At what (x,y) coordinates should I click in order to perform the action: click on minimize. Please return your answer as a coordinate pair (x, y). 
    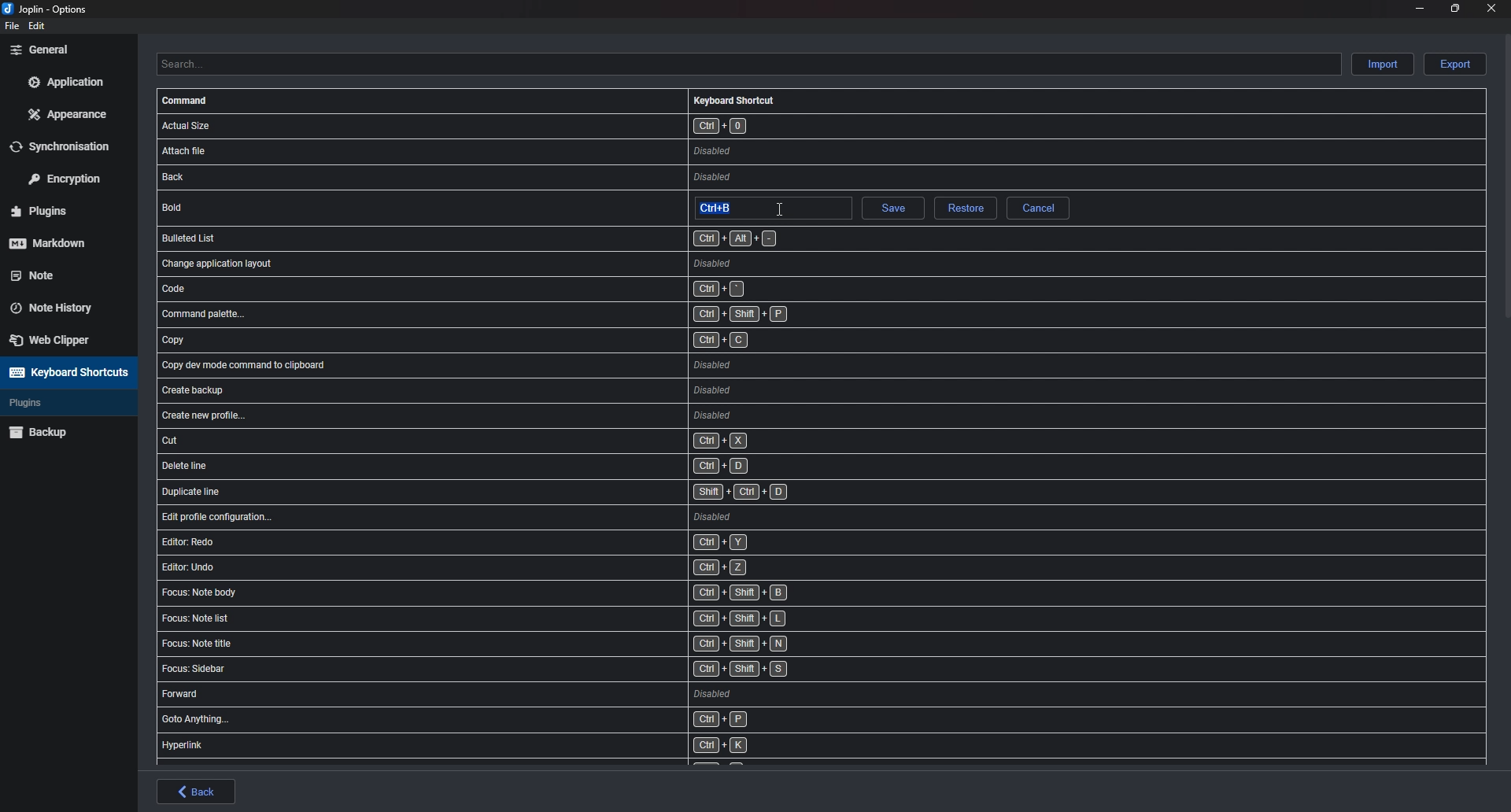
    Looking at the image, I should click on (1420, 7).